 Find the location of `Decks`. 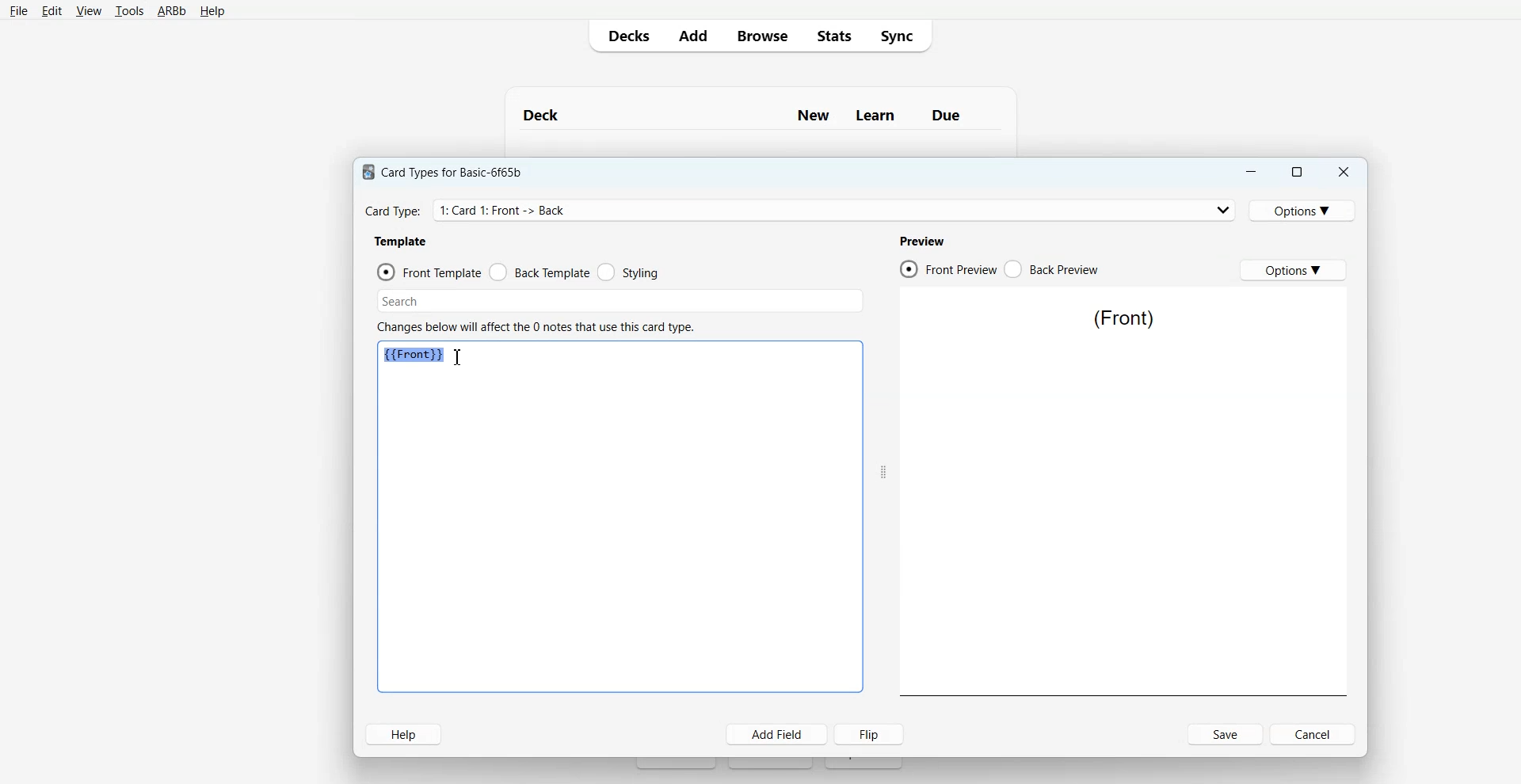

Decks is located at coordinates (625, 36).